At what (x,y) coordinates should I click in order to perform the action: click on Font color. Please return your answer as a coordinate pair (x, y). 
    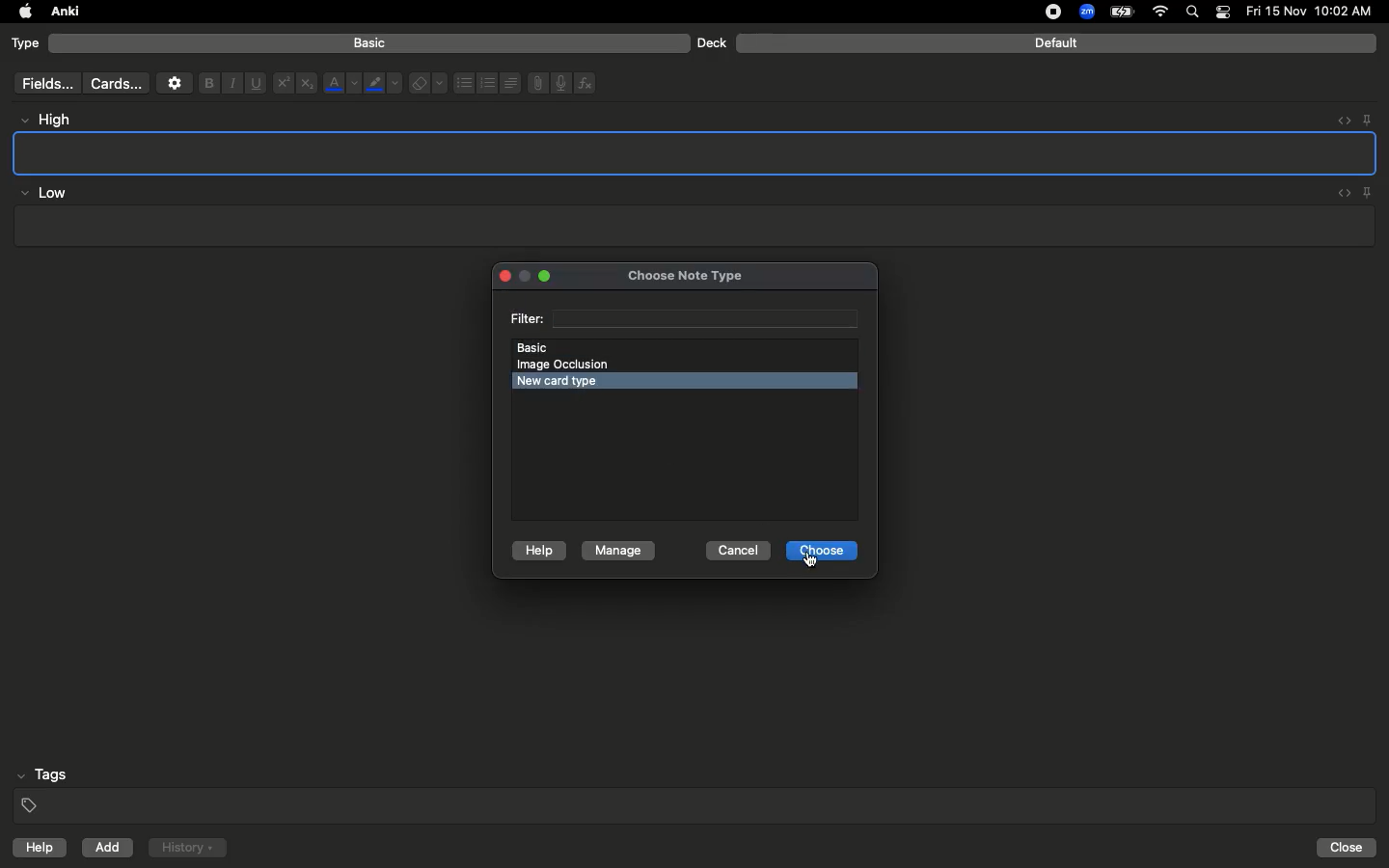
    Looking at the image, I should click on (340, 83).